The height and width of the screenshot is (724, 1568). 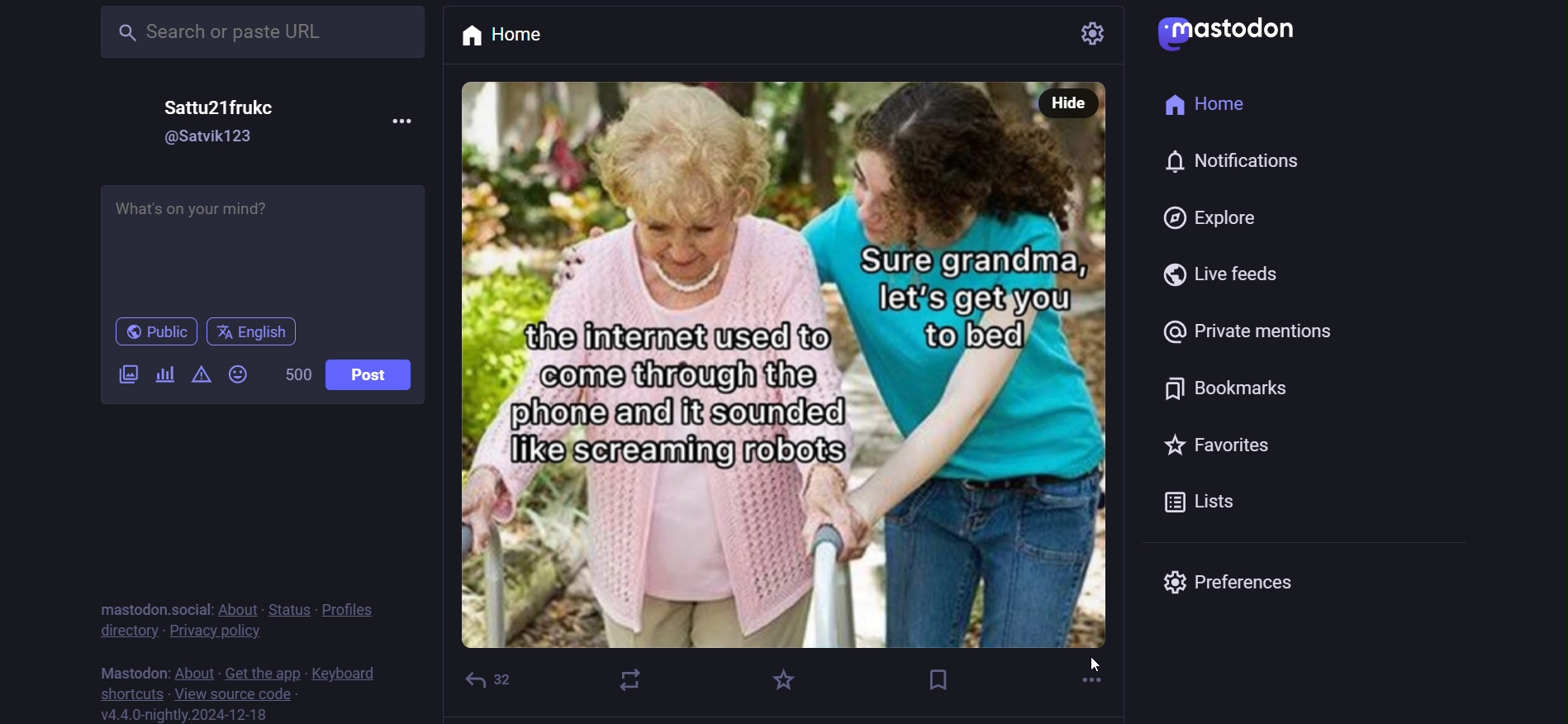 What do you see at coordinates (1238, 334) in the screenshot?
I see `private mention` at bounding box center [1238, 334].